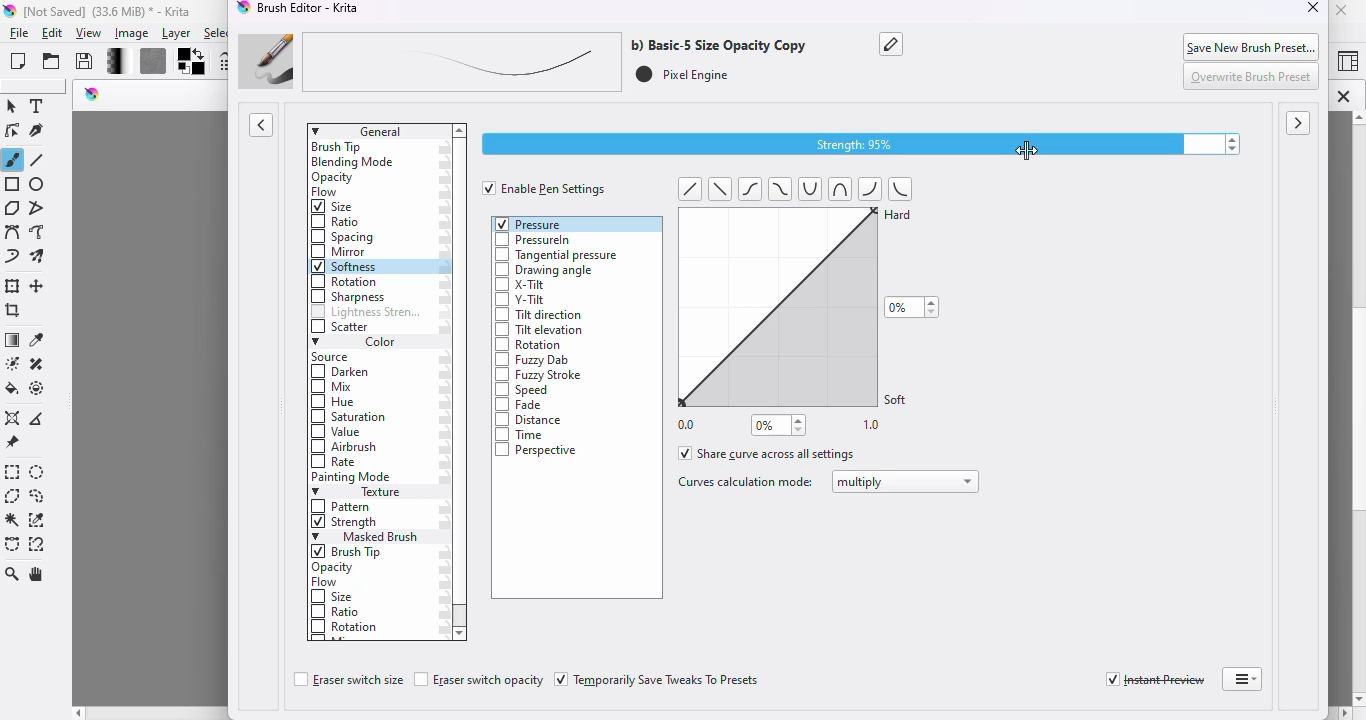  Describe the element at coordinates (37, 496) in the screenshot. I see `freehand selection tool` at that location.